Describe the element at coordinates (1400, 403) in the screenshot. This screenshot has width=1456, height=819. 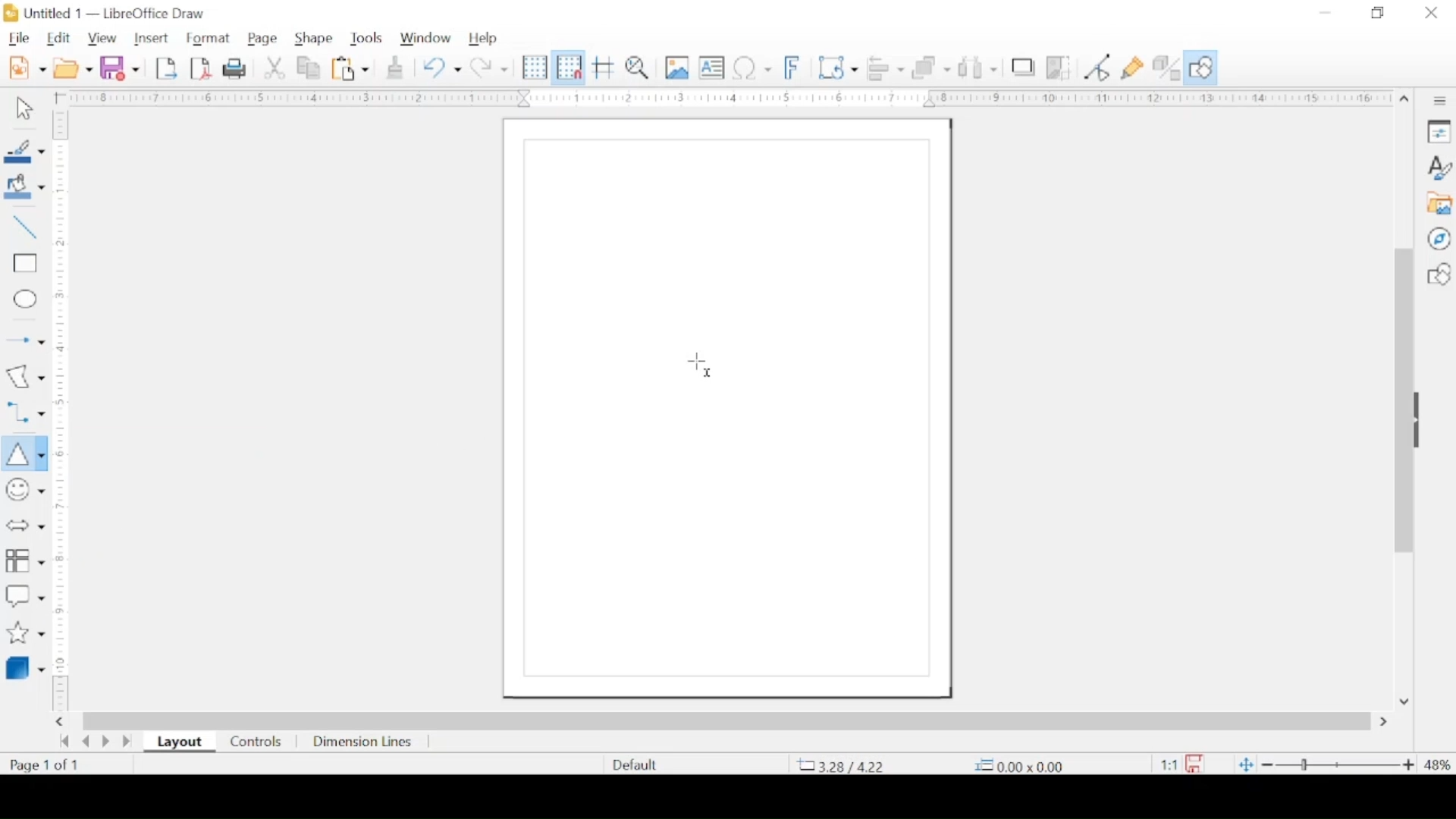
I see `scroll box` at that location.